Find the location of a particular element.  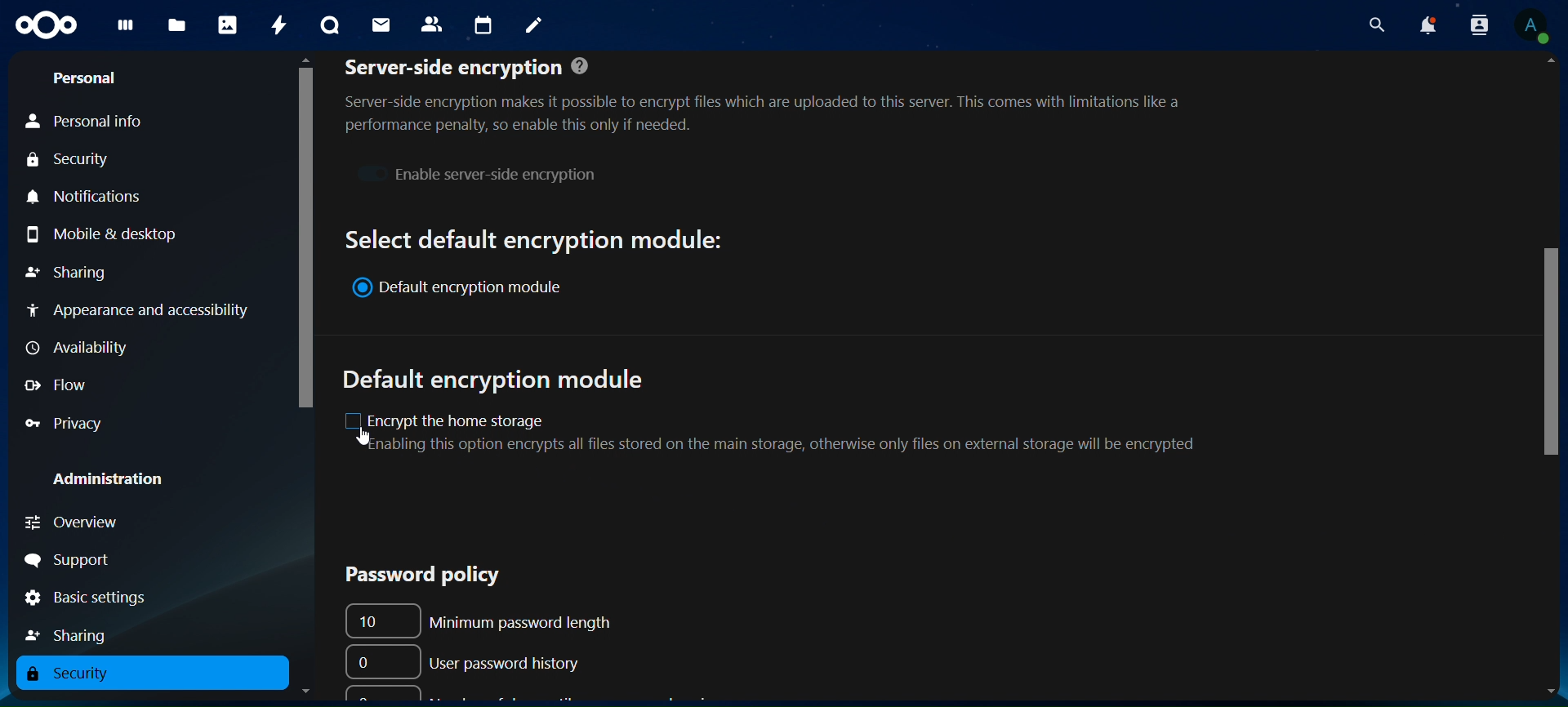

password policy is located at coordinates (411, 574).